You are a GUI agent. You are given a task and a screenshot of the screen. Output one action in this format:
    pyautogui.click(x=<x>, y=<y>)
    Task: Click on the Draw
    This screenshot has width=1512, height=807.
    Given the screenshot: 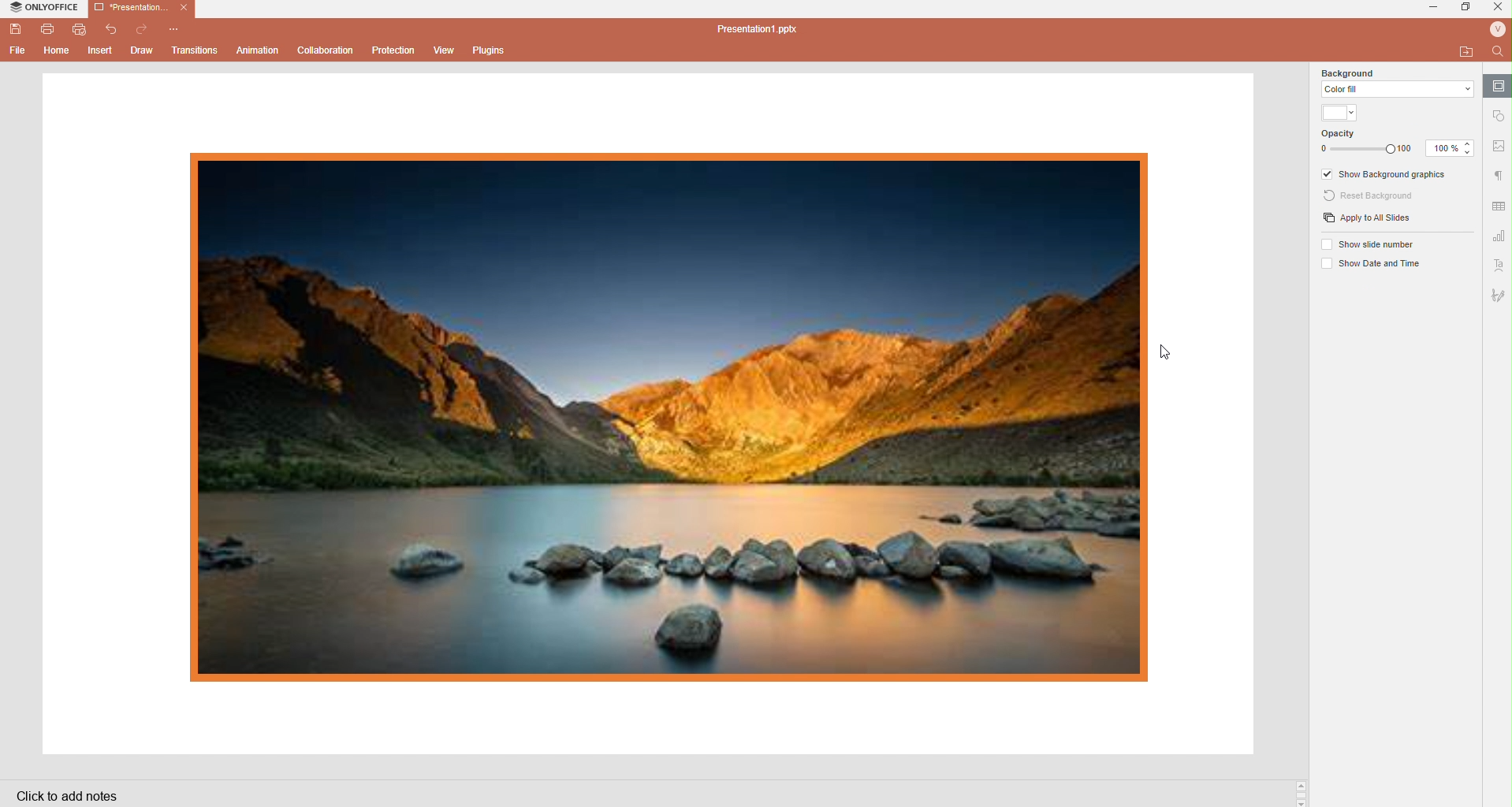 What is the action you would take?
    pyautogui.click(x=143, y=52)
    